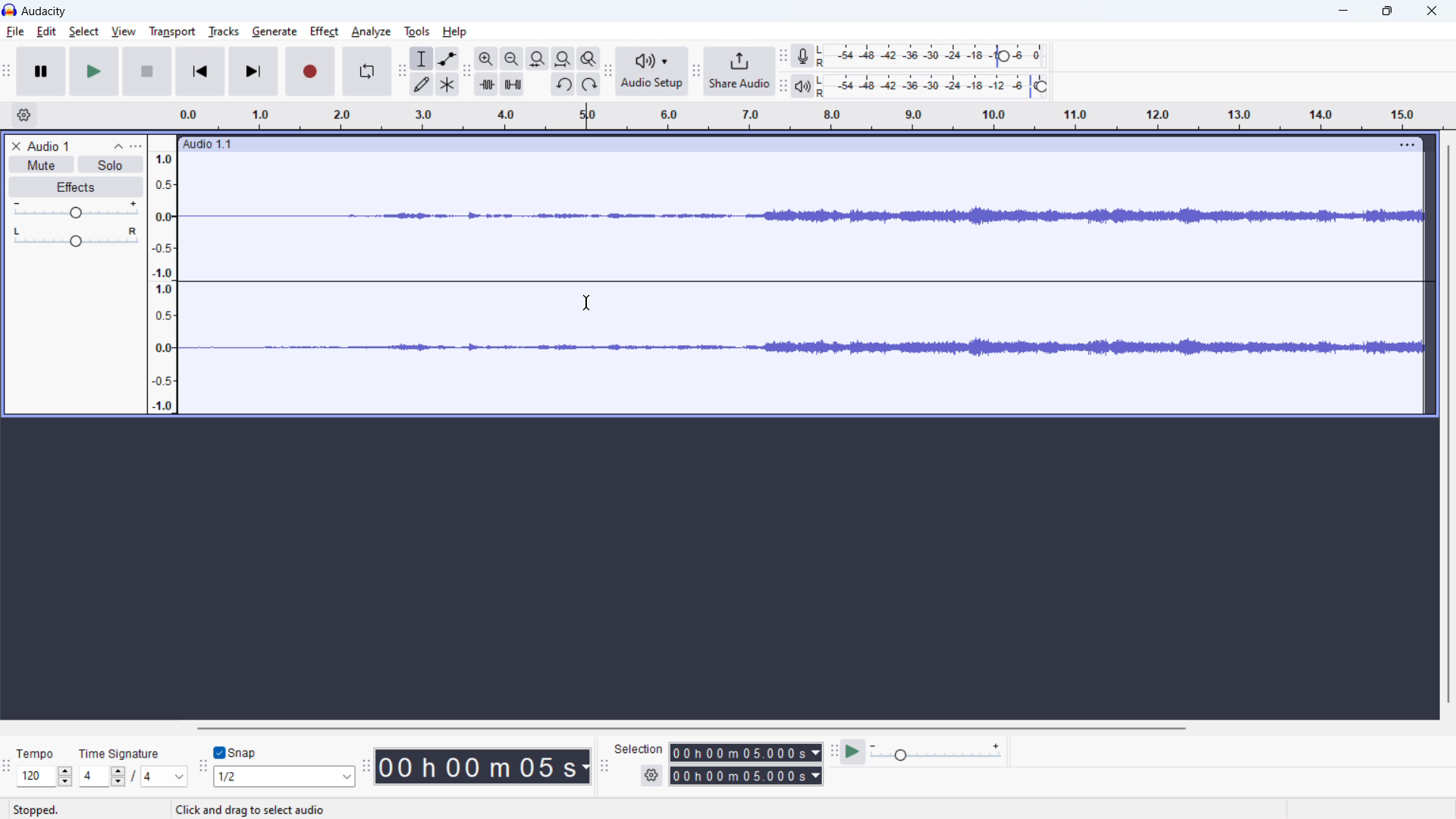 The image size is (1456, 819). Describe the element at coordinates (512, 84) in the screenshot. I see `silence audio selection` at that location.